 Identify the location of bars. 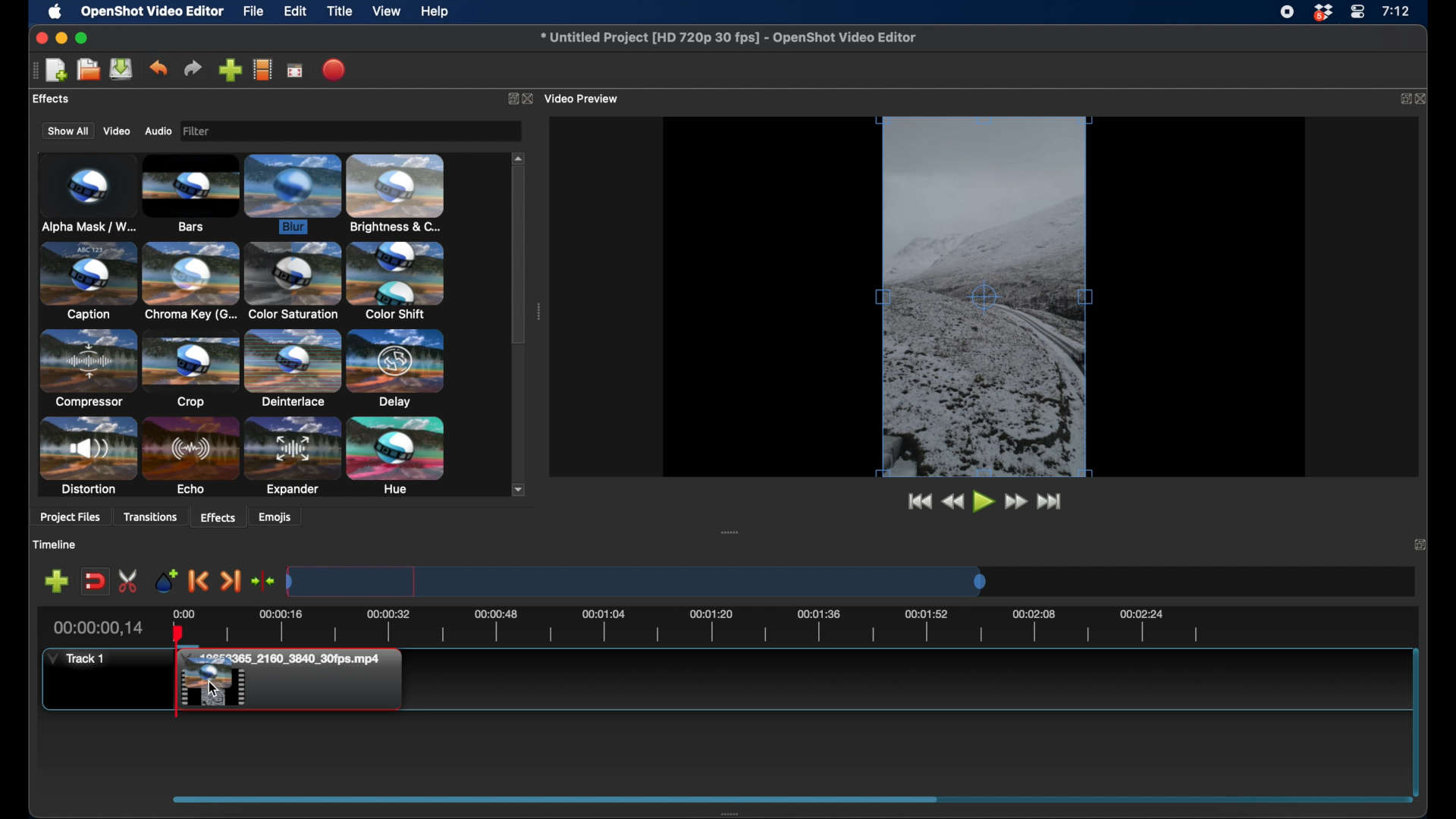
(191, 194).